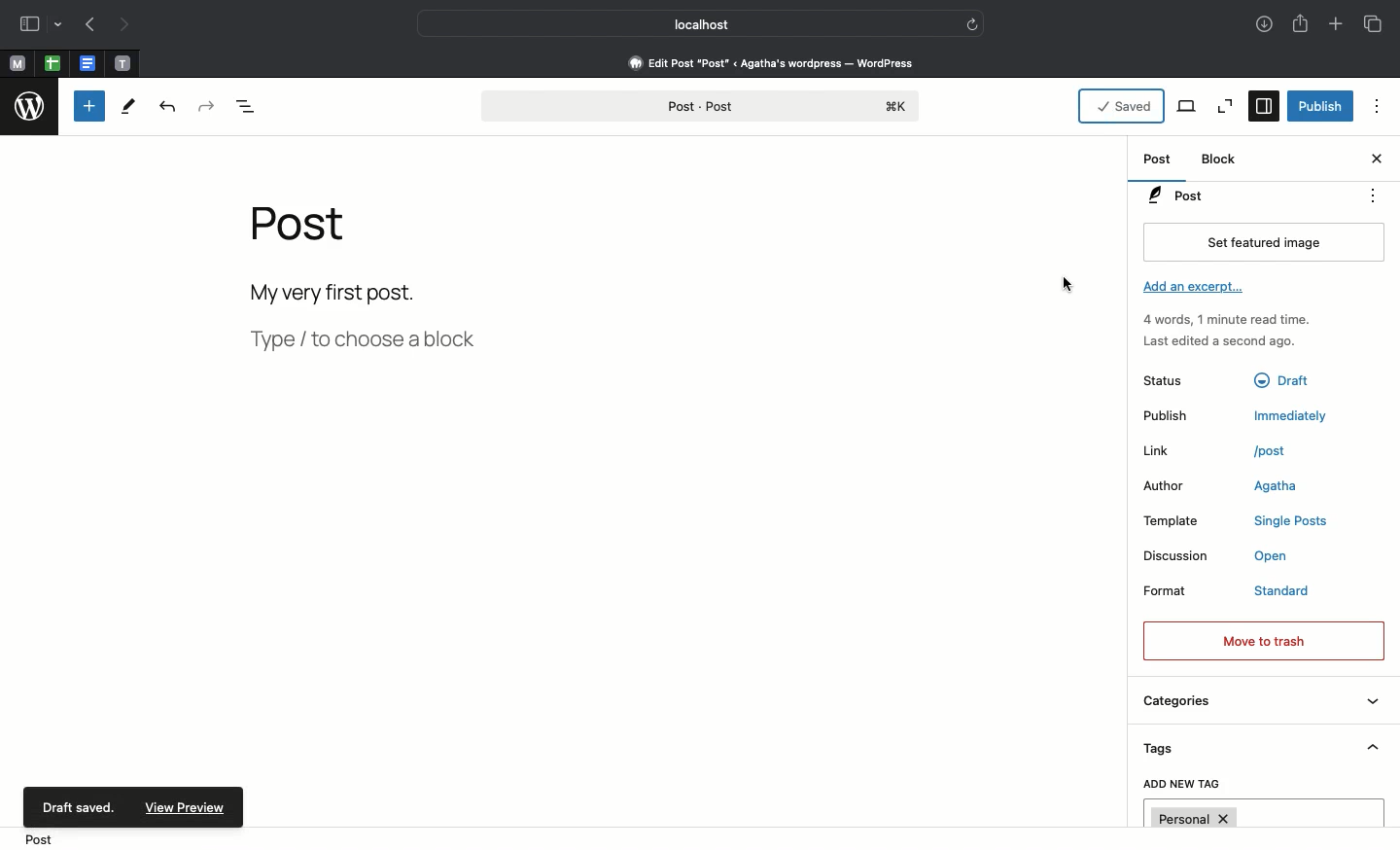 Image resolution: width=1400 pixels, height=850 pixels. What do you see at coordinates (1261, 22) in the screenshot?
I see `Downloads` at bounding box center [1261, 22].